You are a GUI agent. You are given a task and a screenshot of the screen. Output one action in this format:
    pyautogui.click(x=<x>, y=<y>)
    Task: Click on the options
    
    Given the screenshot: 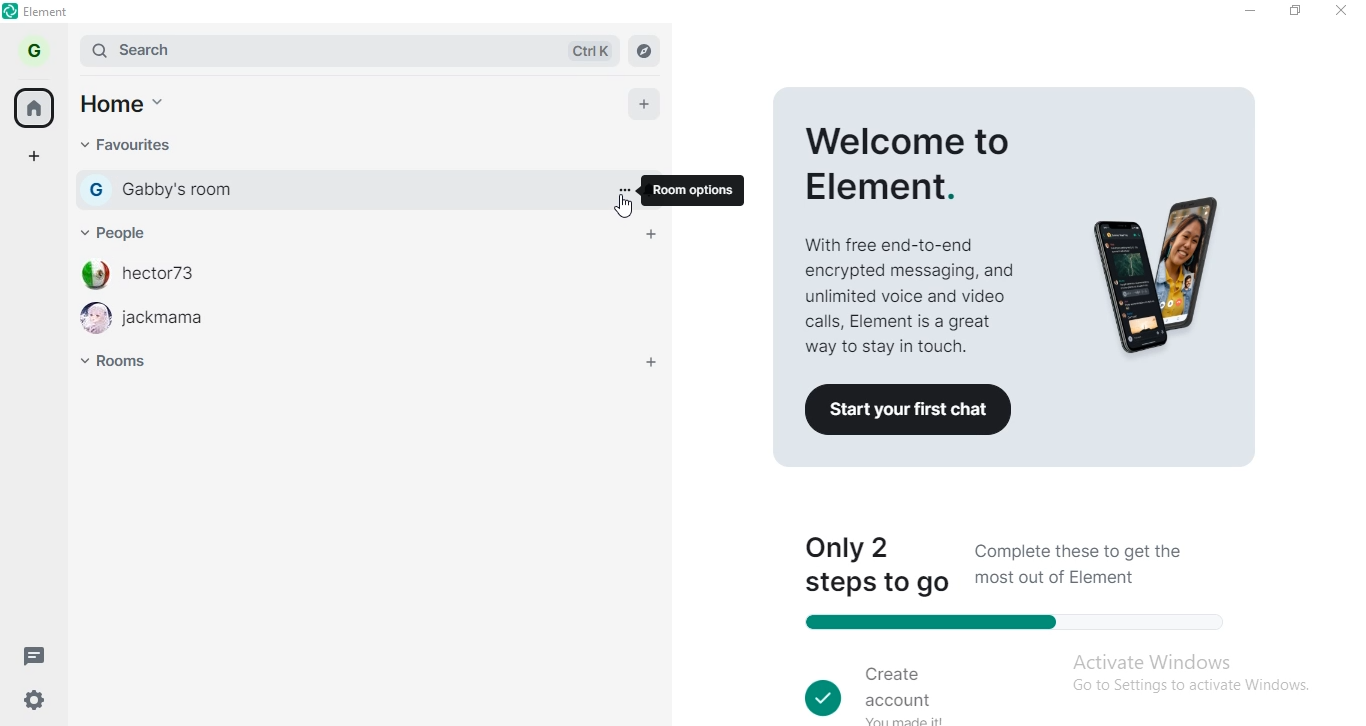 What is the action you would take?
    pyautogui.click(x=621, y=190)
    